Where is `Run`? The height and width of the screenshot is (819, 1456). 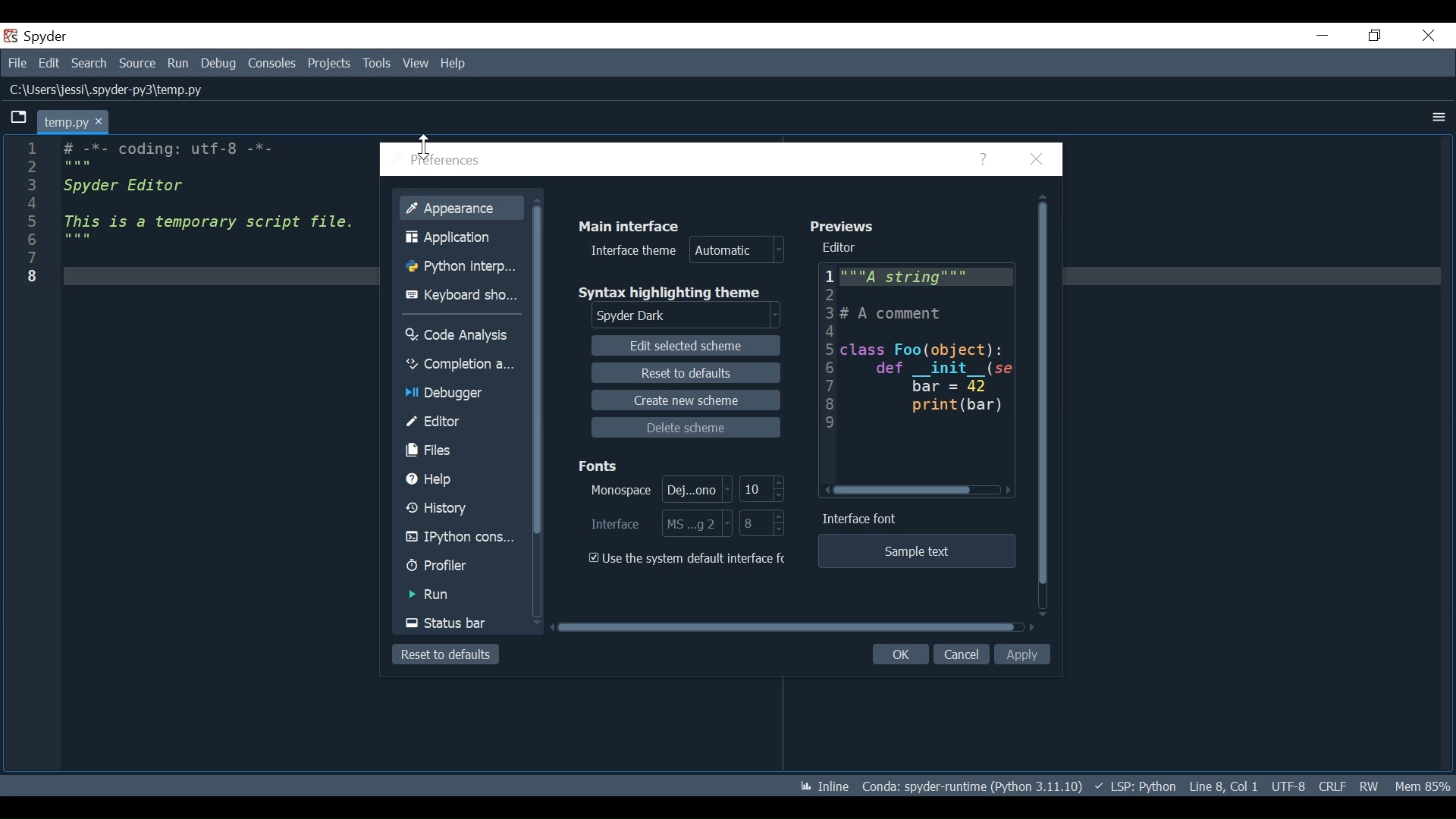
Run is located at coordinates (461, 596).